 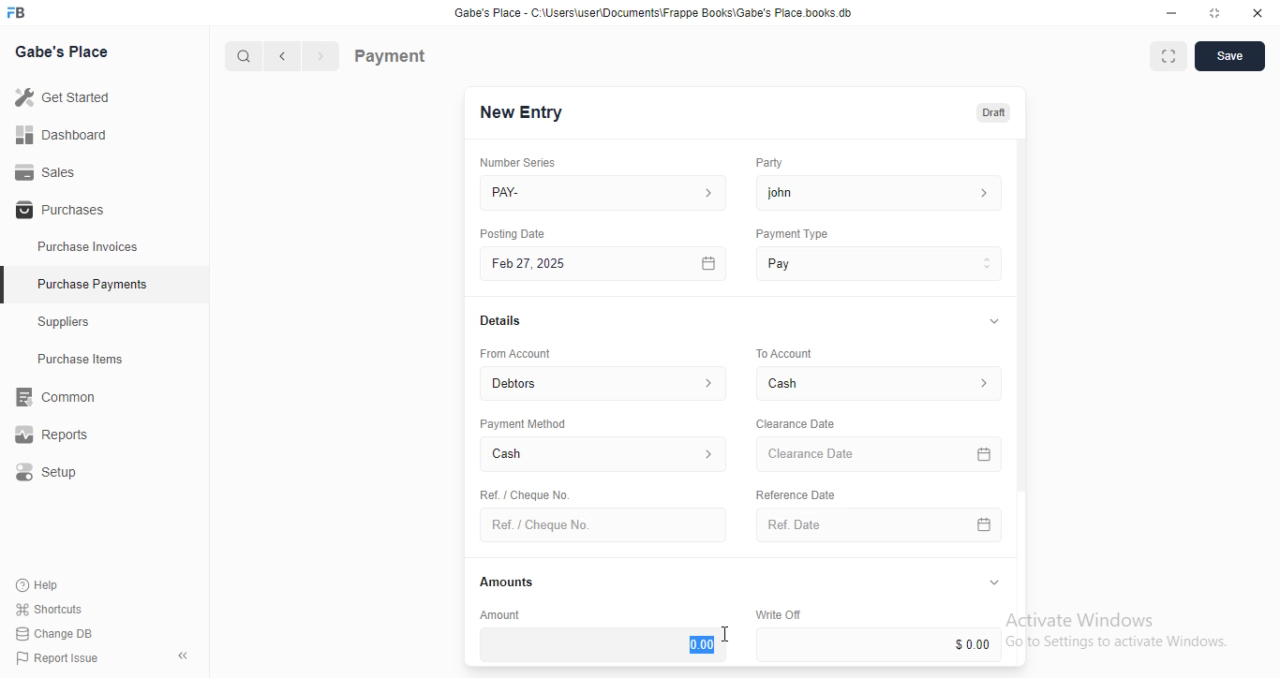 What do you see at coordinates (1229, 56) in the screenshot?
I see `Save` at bounding box center [1229, 56].